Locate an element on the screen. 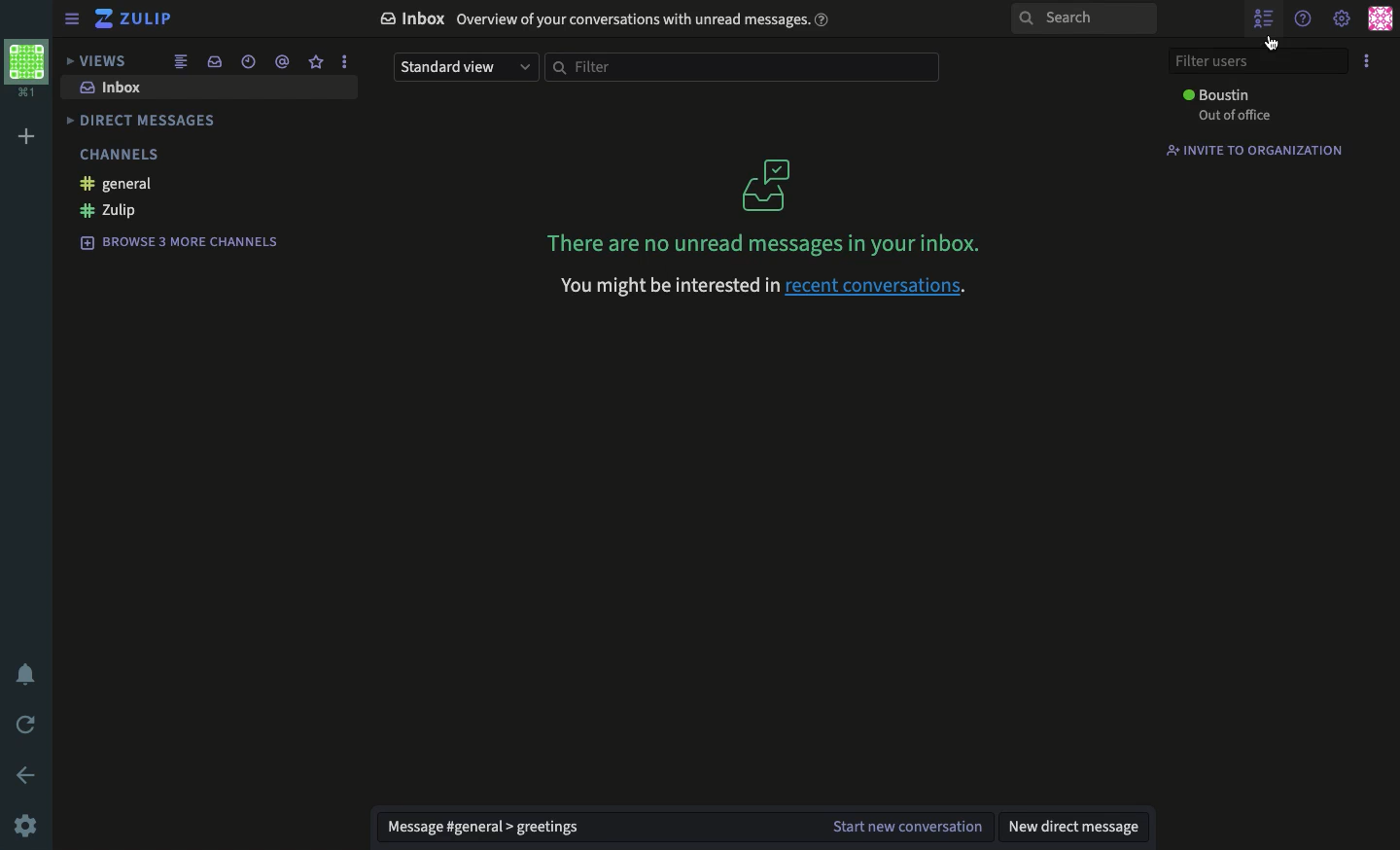  direct messages is located at coordinates (140, 119).